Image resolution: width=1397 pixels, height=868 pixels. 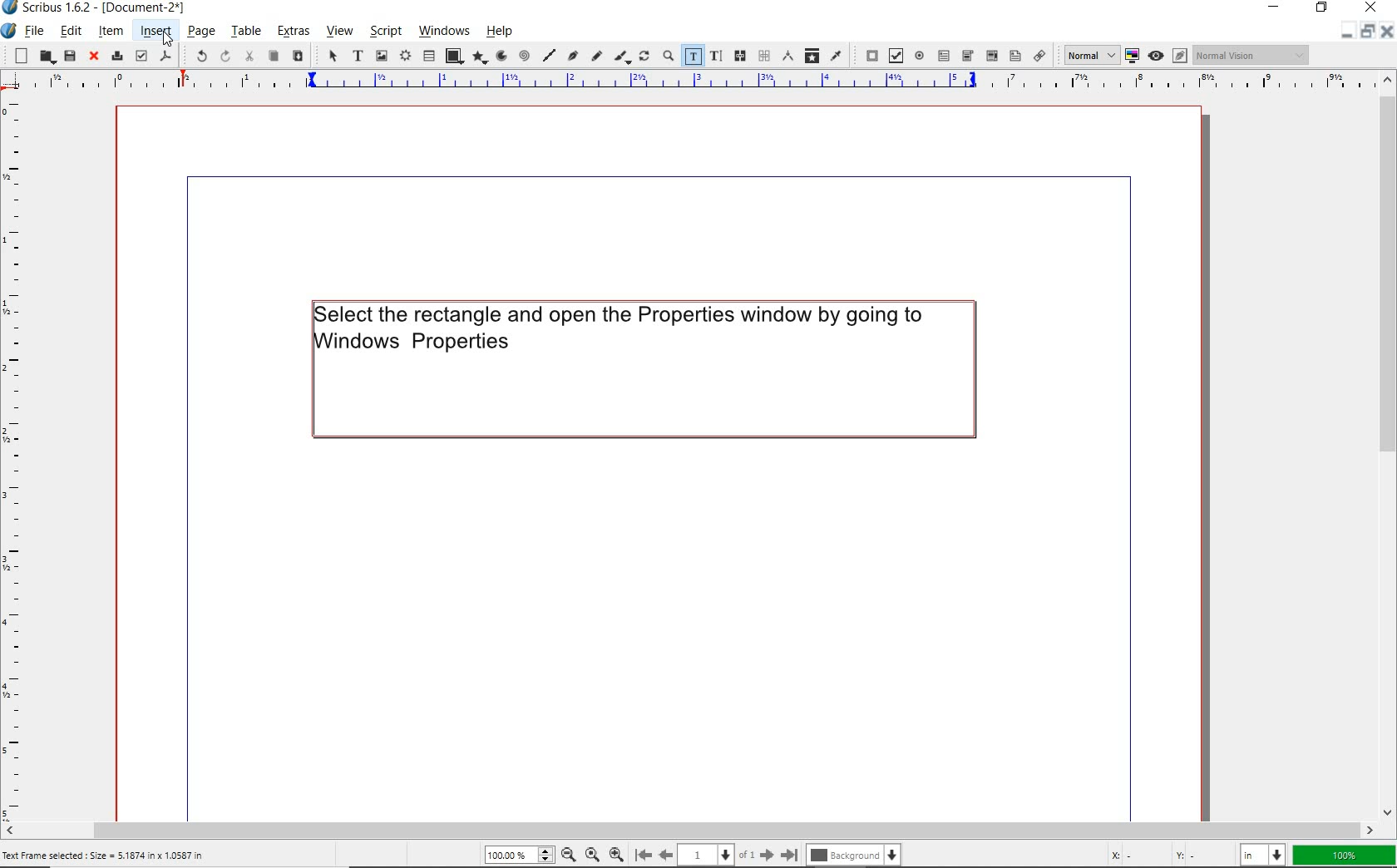 What do you see at coordinates (1252, 55) in the screenshot?
I see `Normal Vision` at bounding box center [1252, 55].